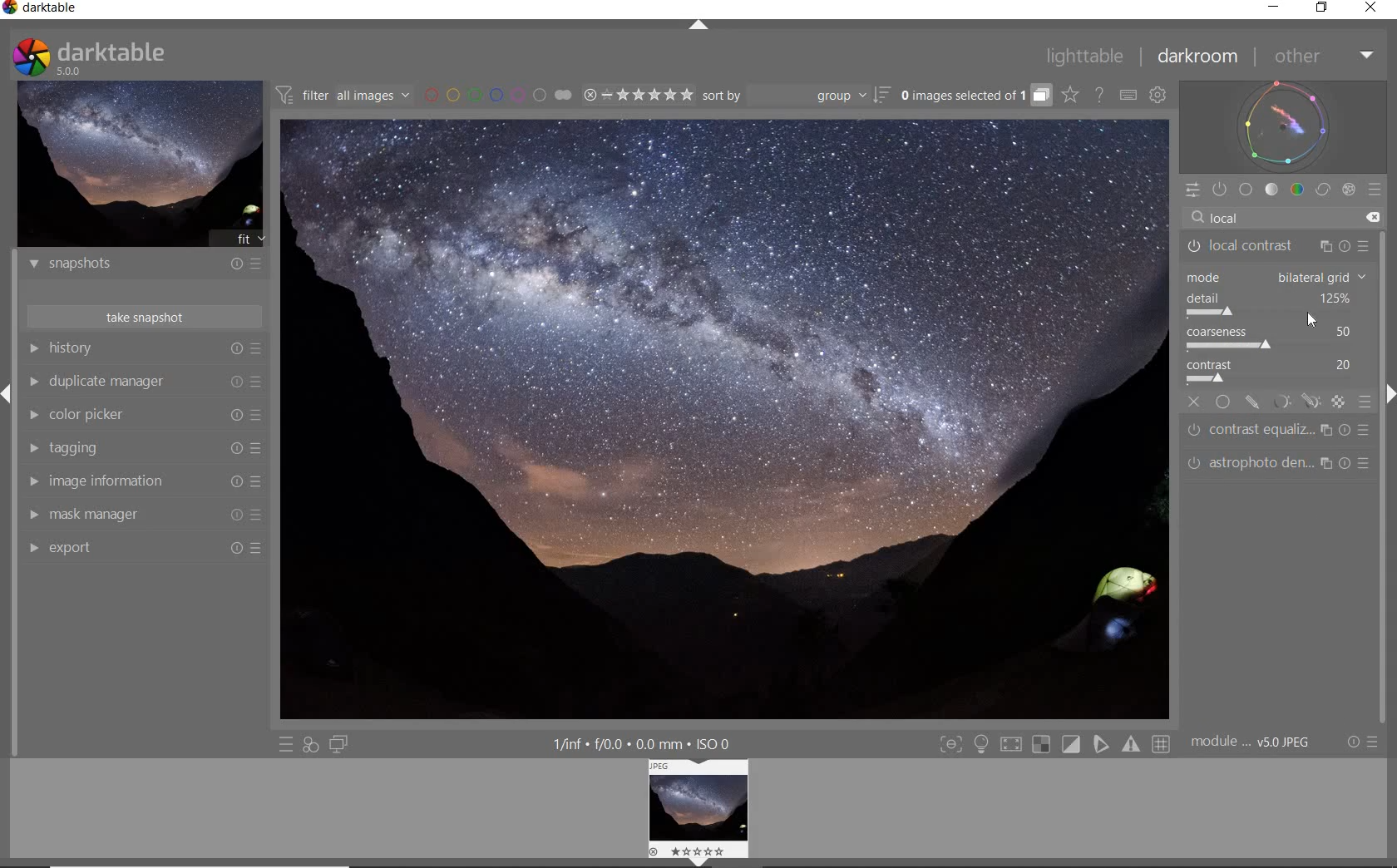  I want to click on DARKROOM, so click(1207, 58).